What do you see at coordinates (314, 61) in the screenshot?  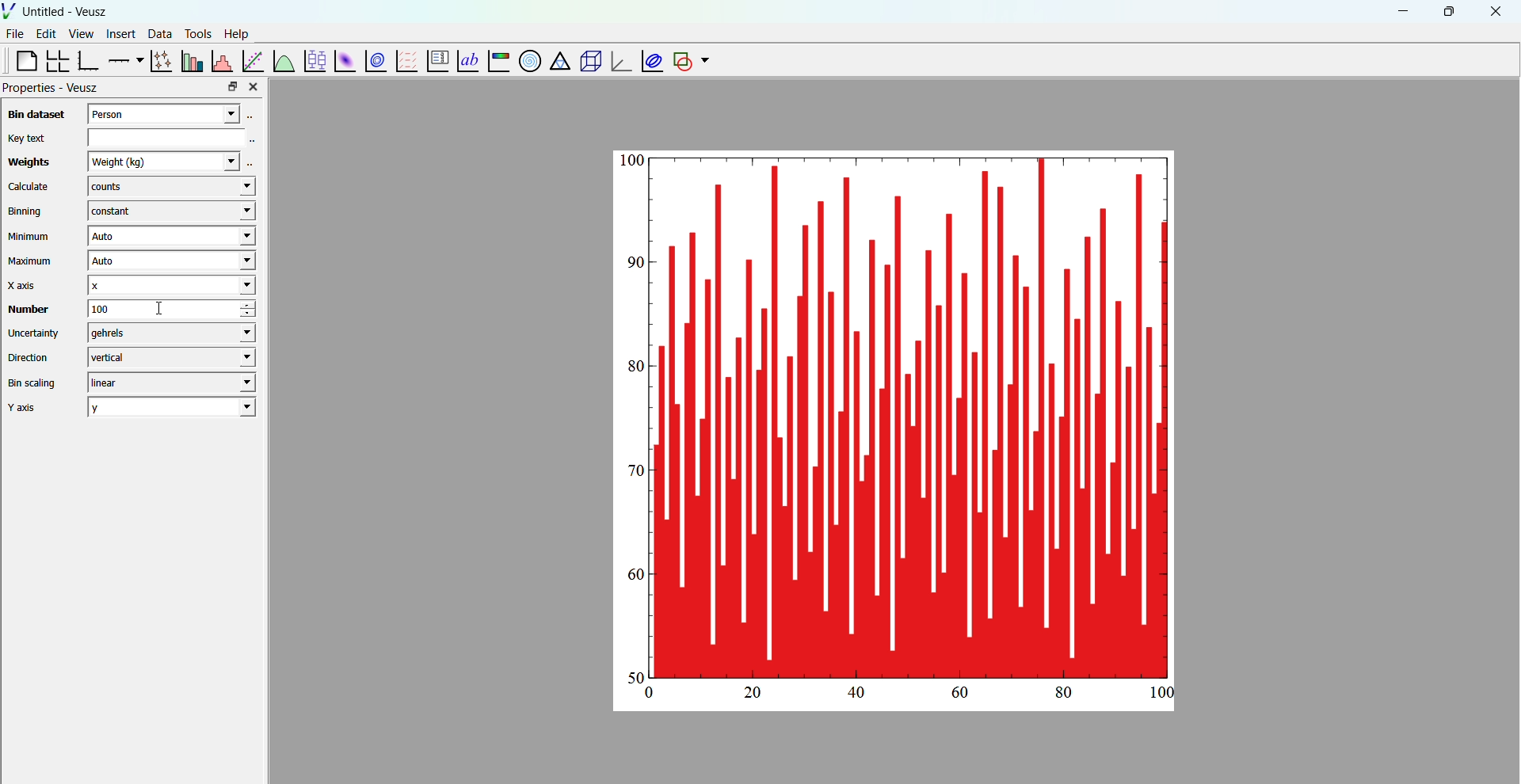 I see `plot box plots` at bounding box center [314, 61].